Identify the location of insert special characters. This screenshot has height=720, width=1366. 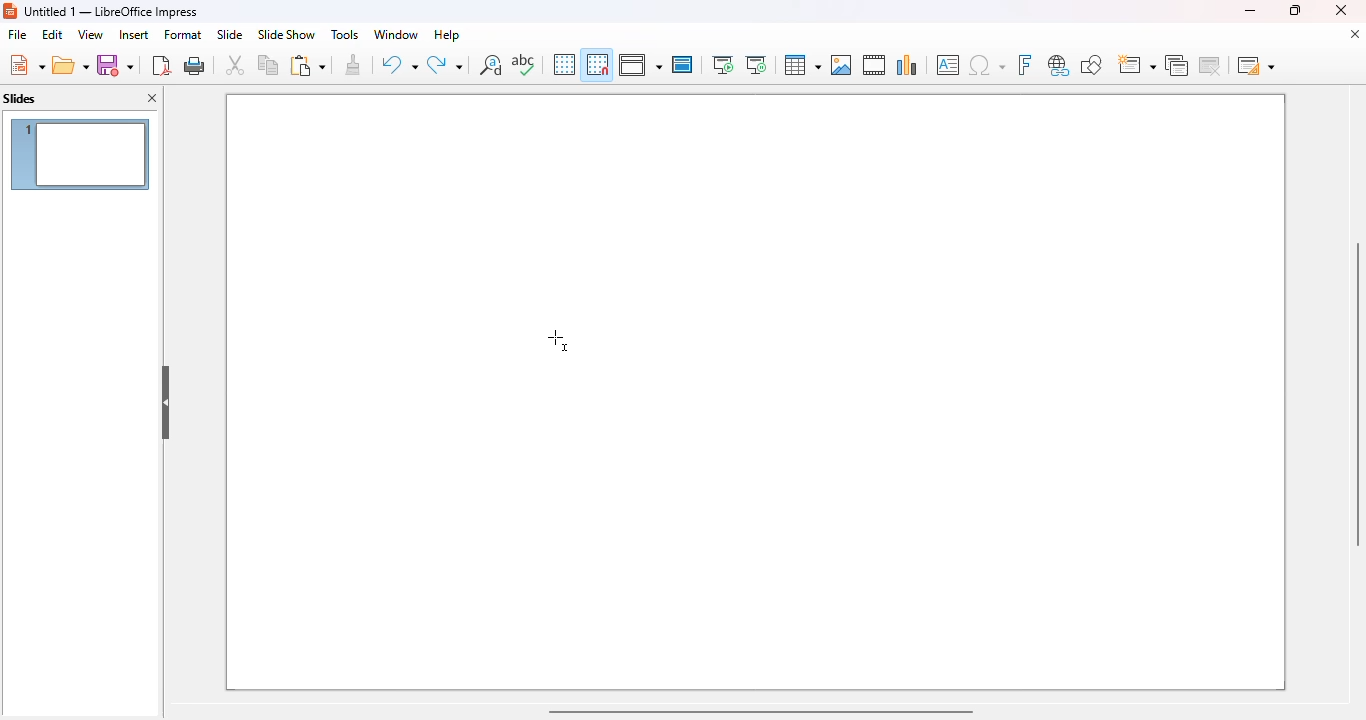
(987, 65).